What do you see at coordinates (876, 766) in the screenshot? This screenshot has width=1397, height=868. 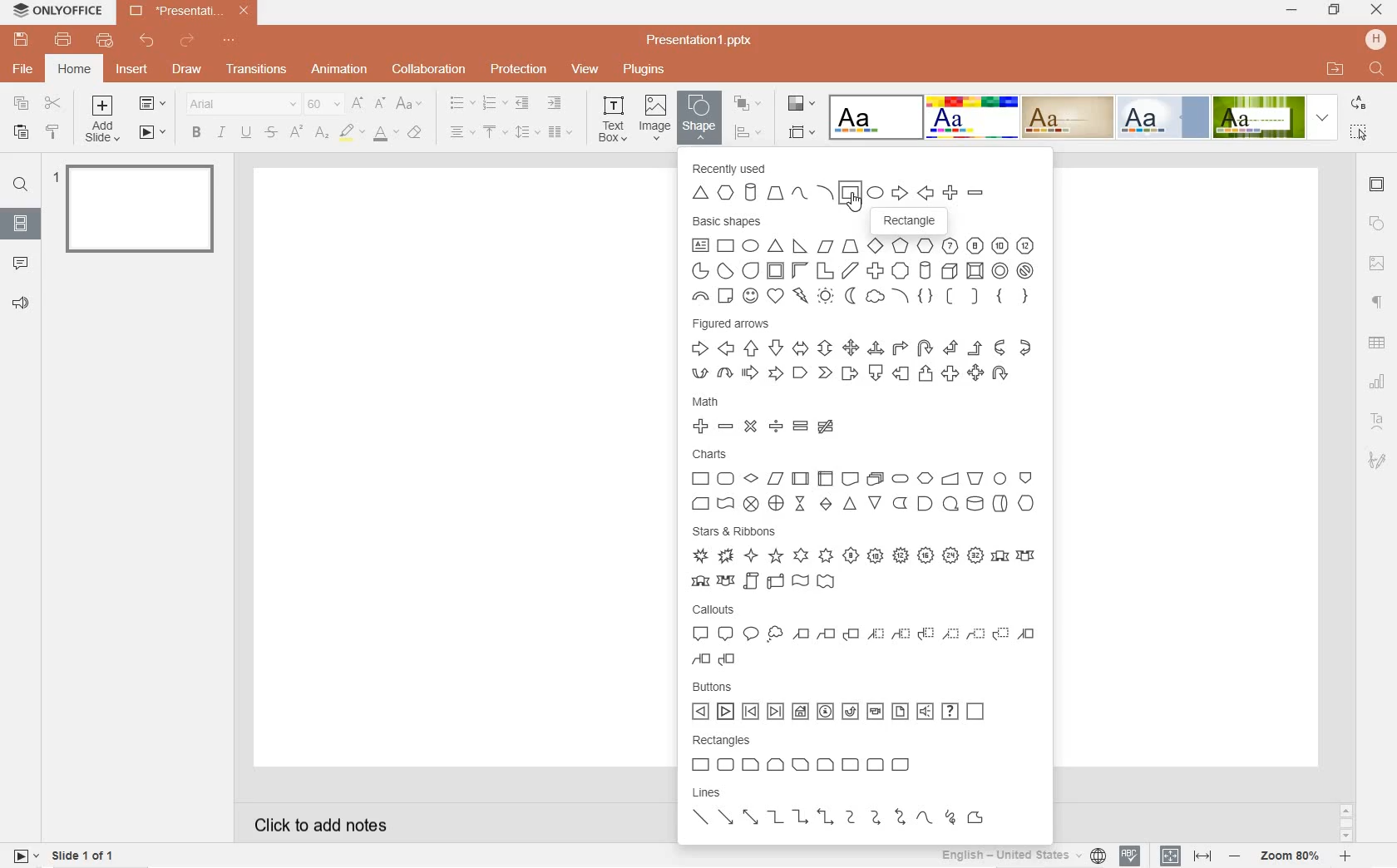 I see `Round same side corner rectangle` at bounding box center [876, 766].